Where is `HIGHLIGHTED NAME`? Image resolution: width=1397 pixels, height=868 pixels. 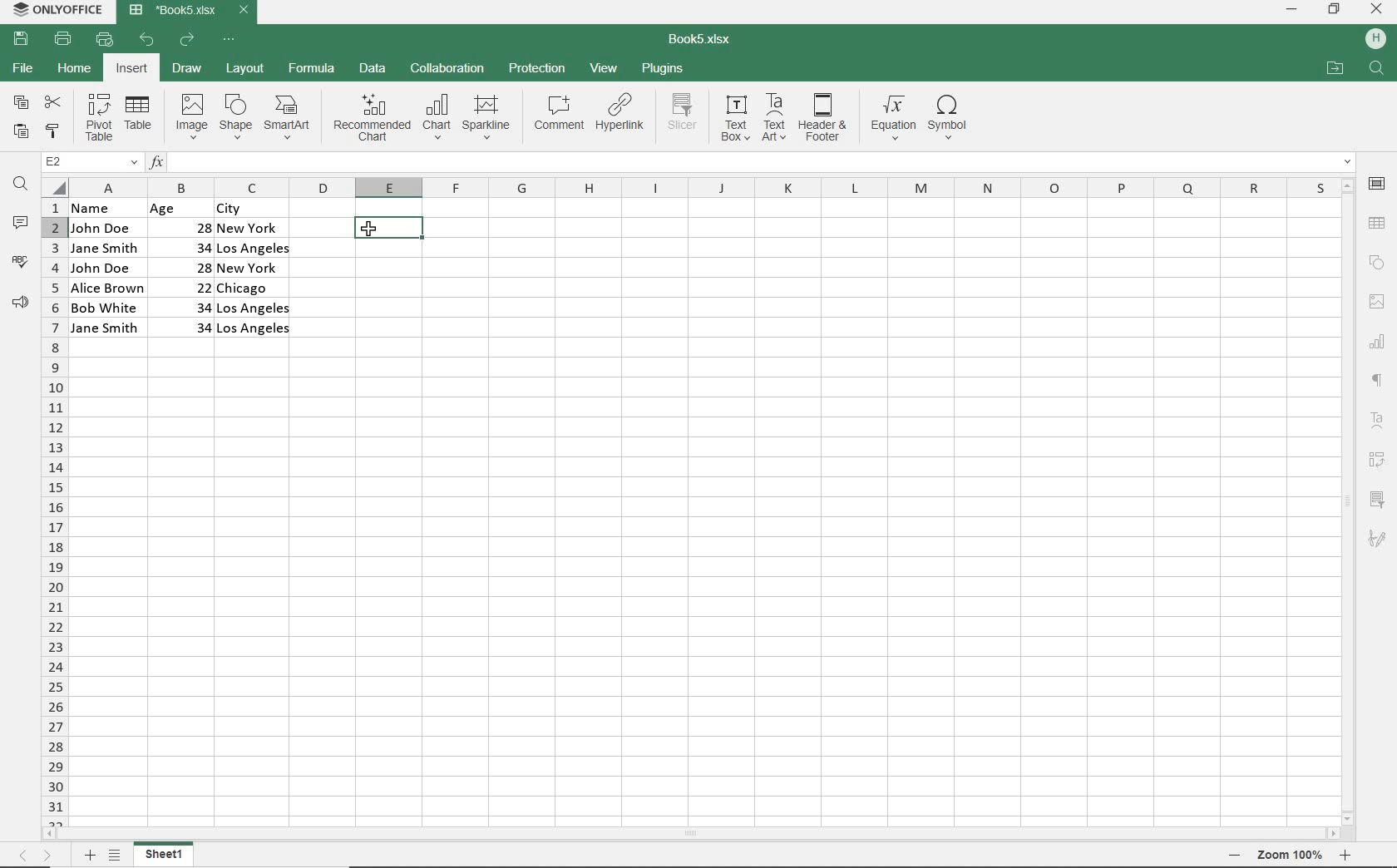 HIGHLIGHTED NAME is located at coordinates (388, 228).